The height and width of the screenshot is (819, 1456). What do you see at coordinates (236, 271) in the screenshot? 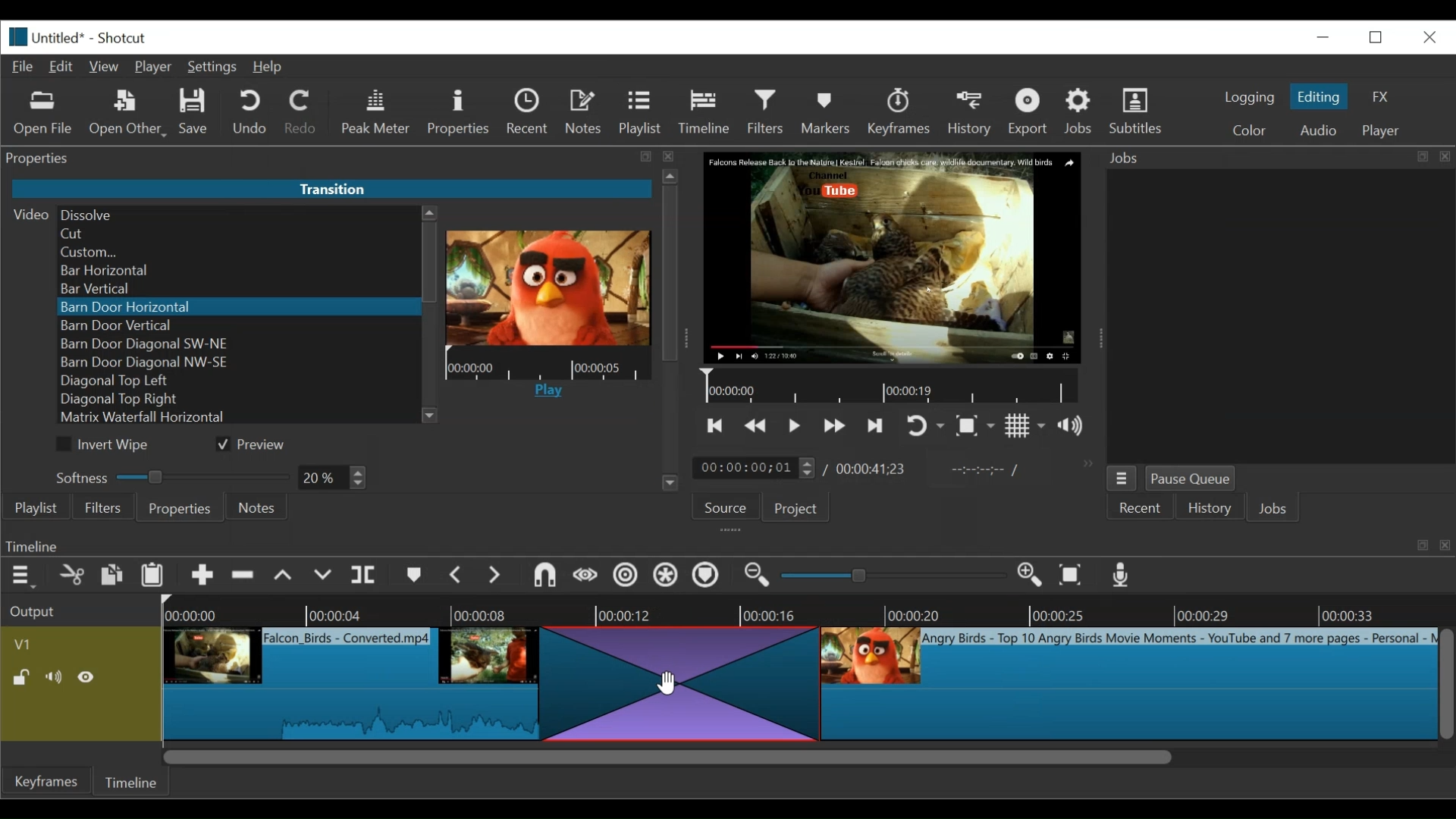
I see `Bar Horizontal` at bounding box center [236, 271].